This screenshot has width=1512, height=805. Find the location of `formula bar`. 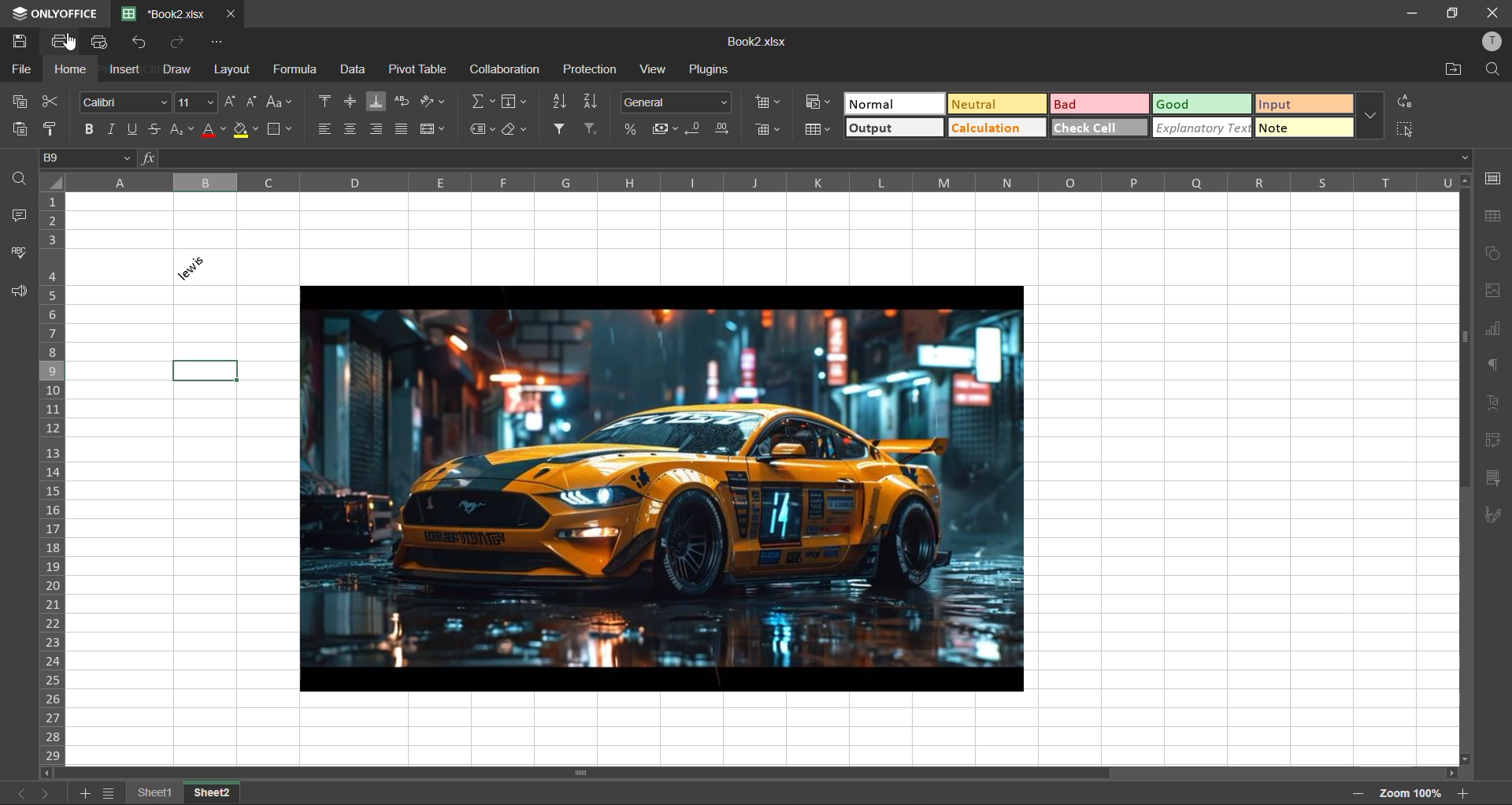

formula bar is located at coordinates (810, 159).